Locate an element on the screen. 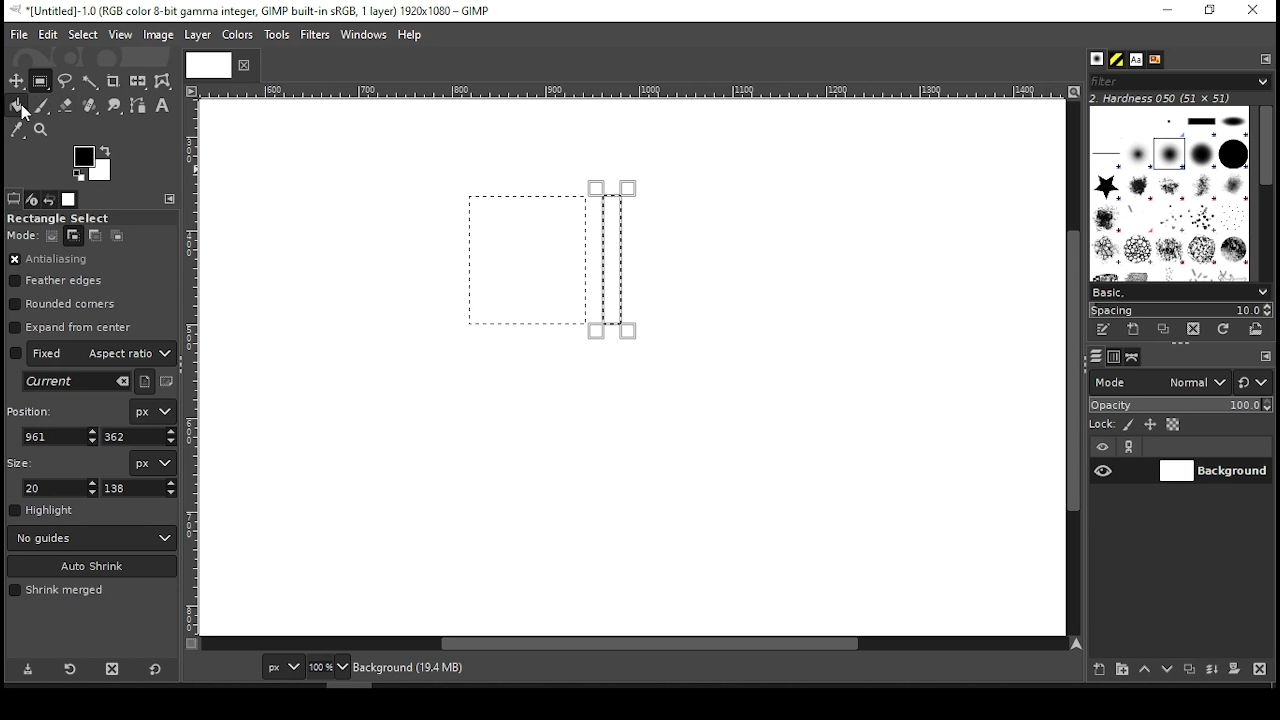 The image size is (1280, 720). lock size and positioning is located at coordinates (1152, 425).